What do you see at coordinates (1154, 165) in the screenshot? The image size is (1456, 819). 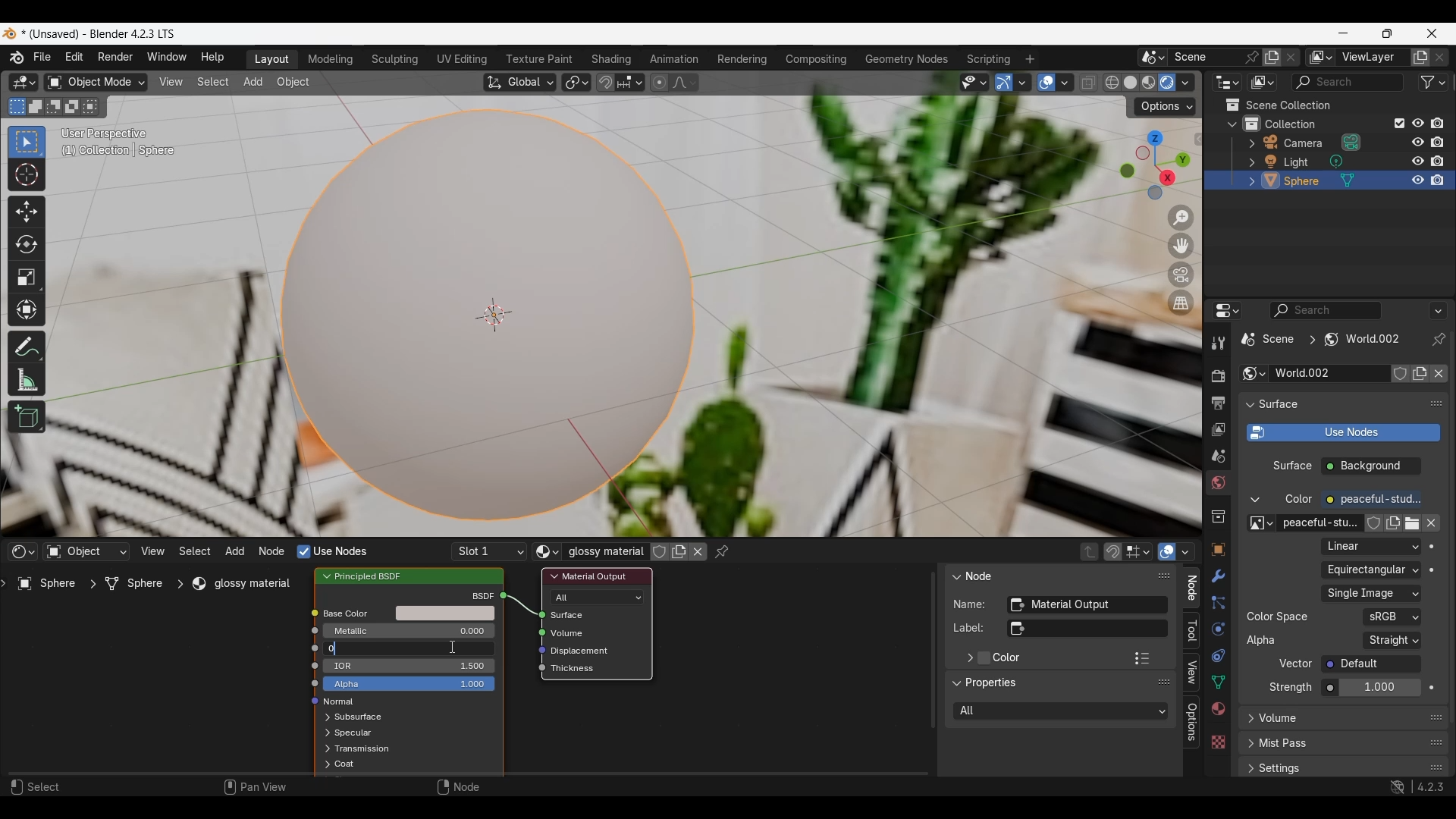 I see `Use a preset viewpoint` at bounding box center [1154, 165].